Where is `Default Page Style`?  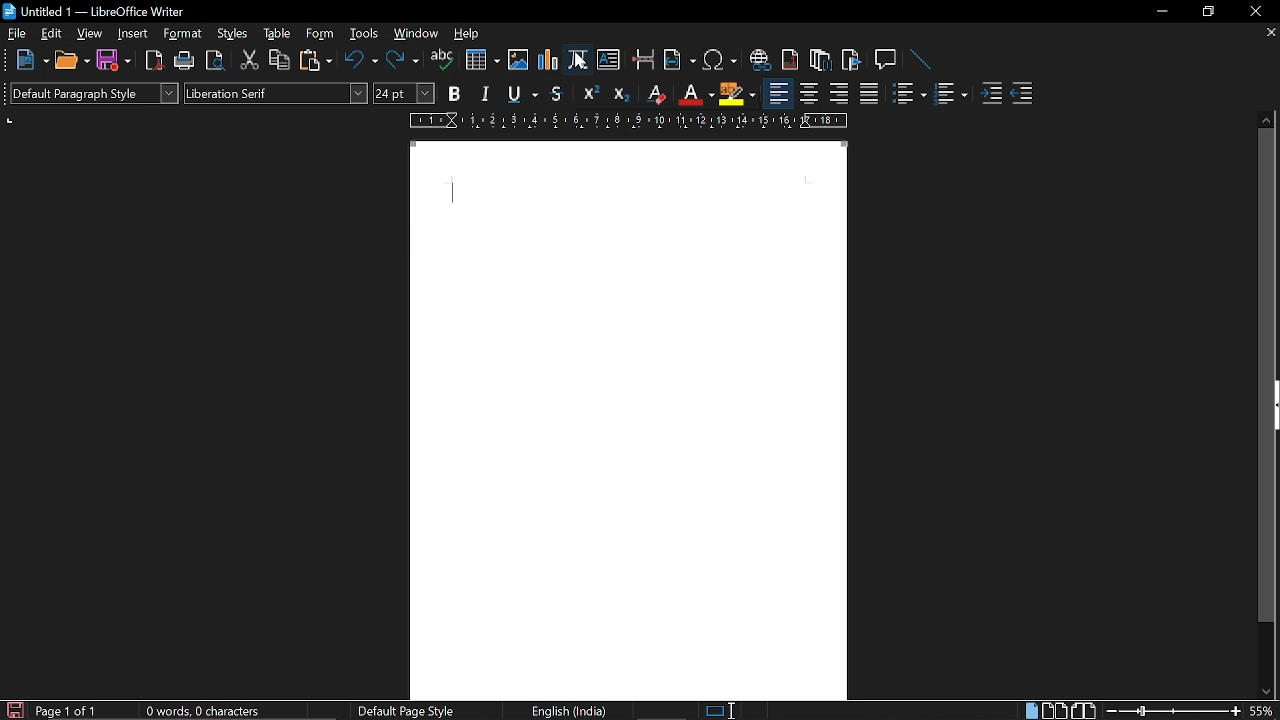
Default Page Style is located at coordinates (404, 711).